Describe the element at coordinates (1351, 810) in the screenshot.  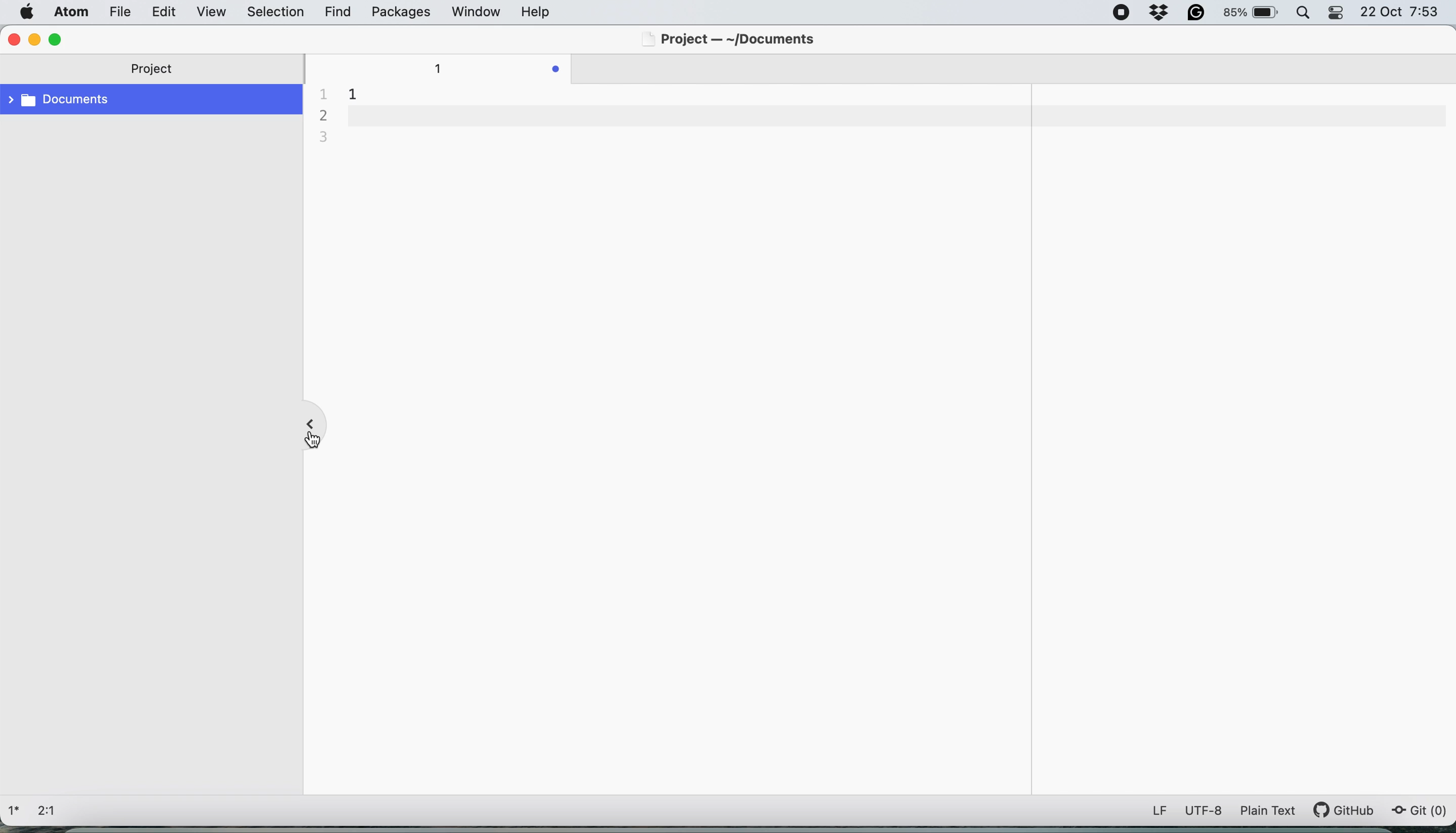
I see `github` at that location.